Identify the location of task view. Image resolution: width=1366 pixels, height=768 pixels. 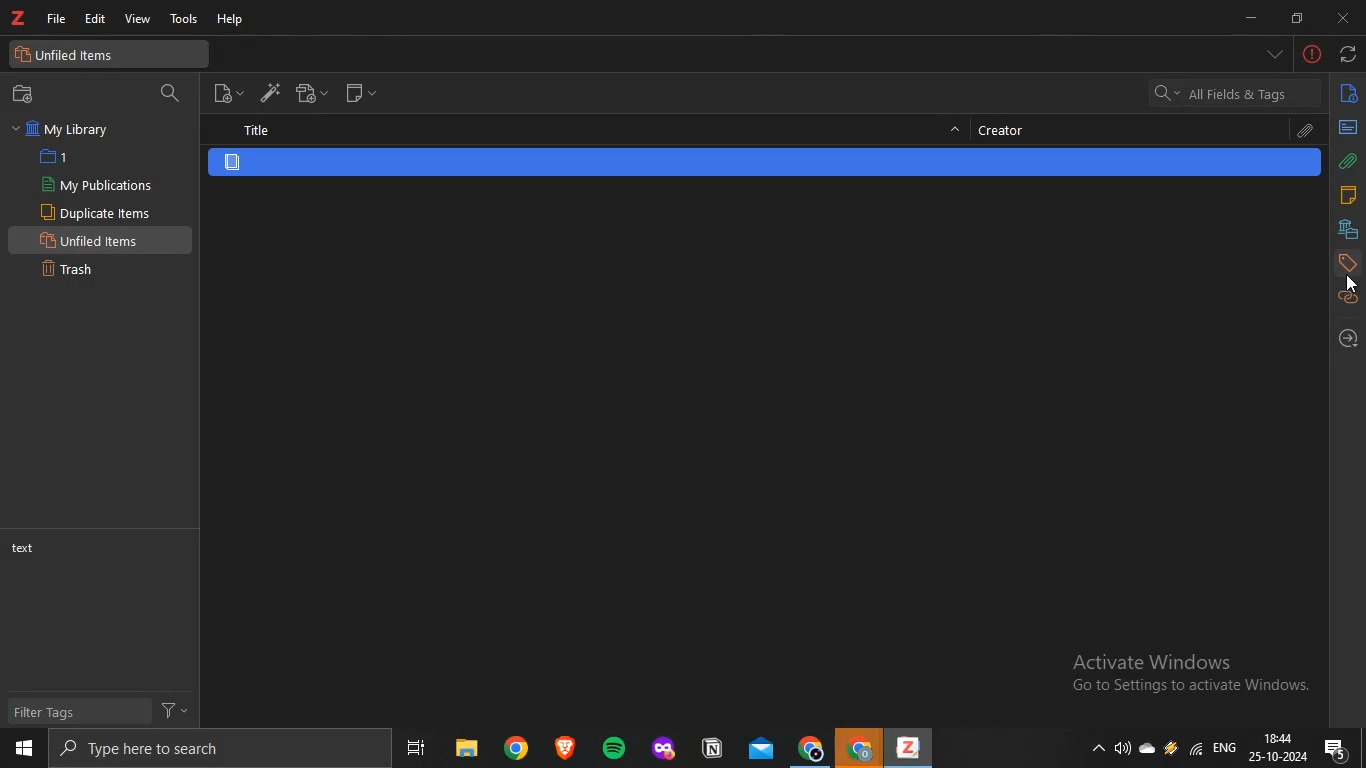
(414, 748).